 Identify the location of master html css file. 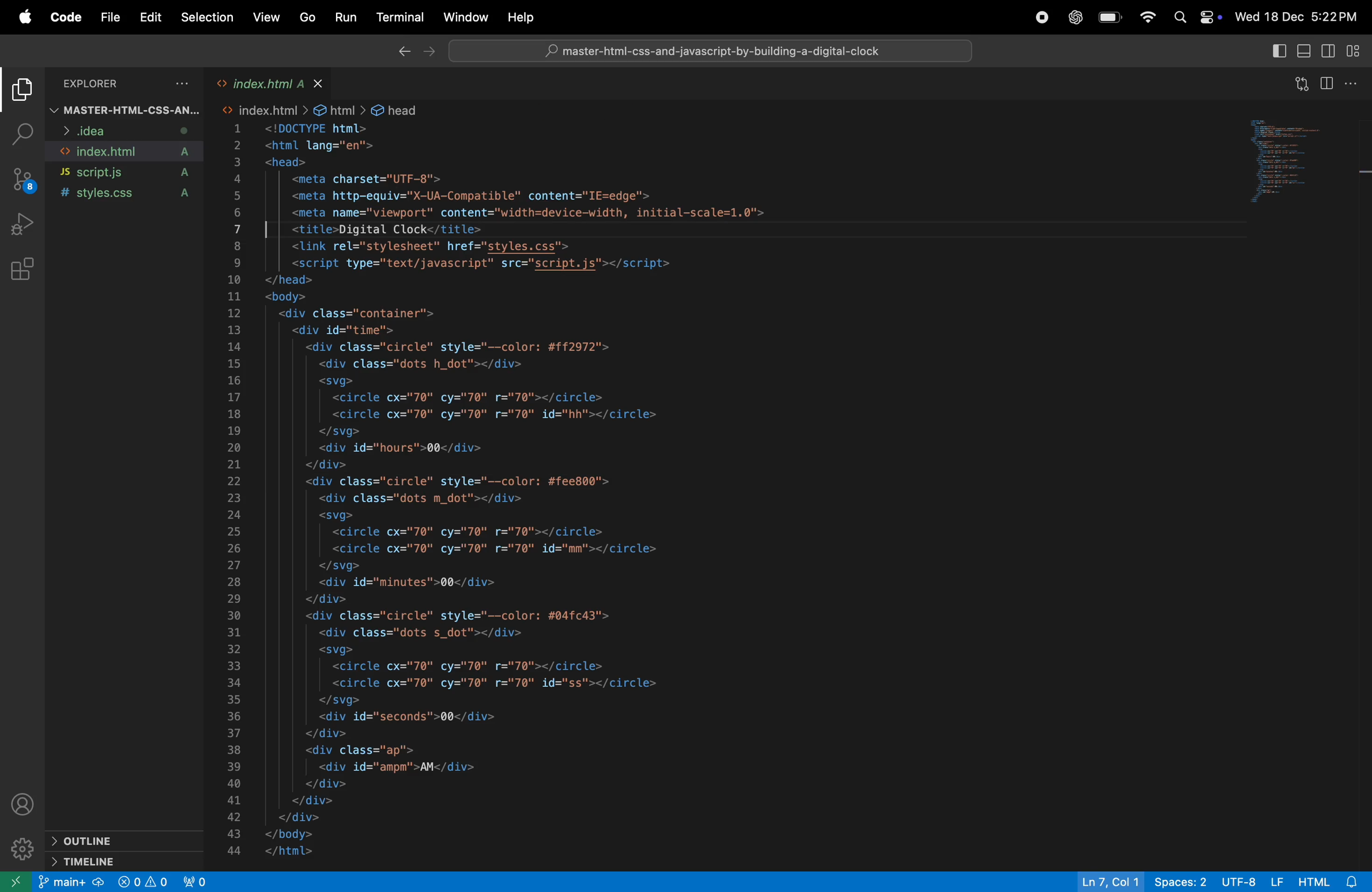
(125, 109).